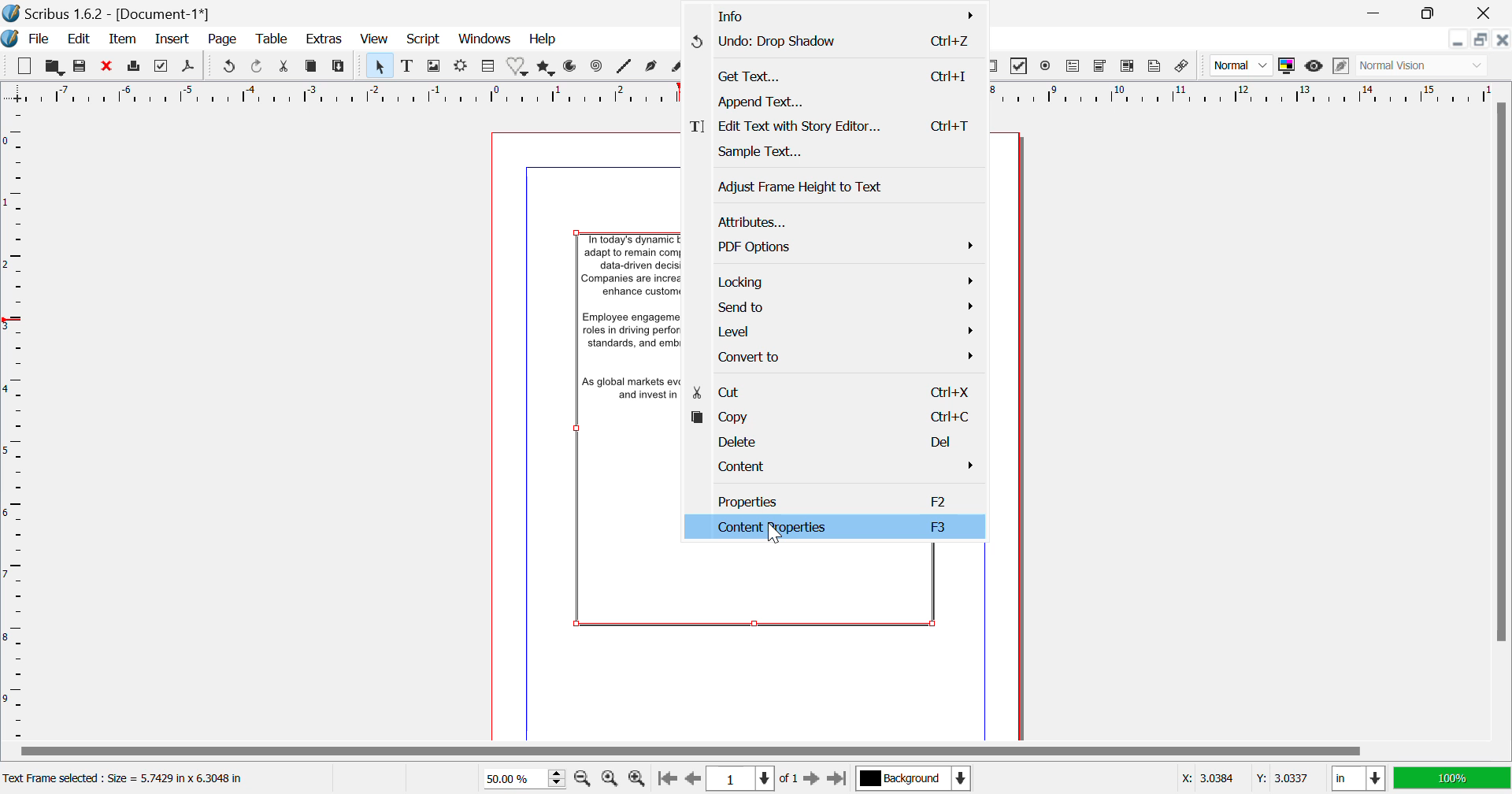 The image size is (1512, 794). Describe the element at coordinates (435, 66) in the screenshot. I see `Image Frame` at that location.